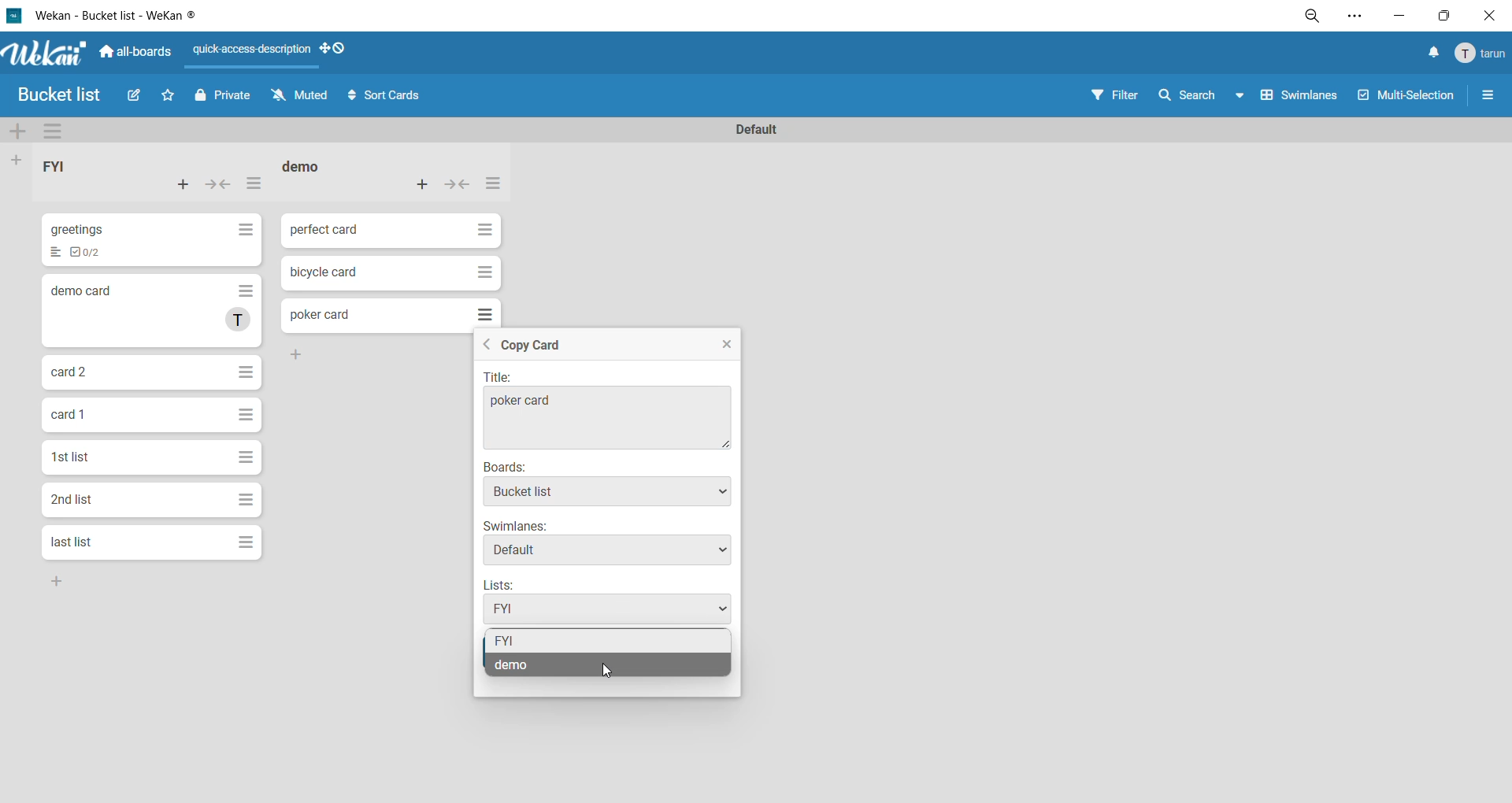  I want to click on swimlanes, so click(1303, 98).